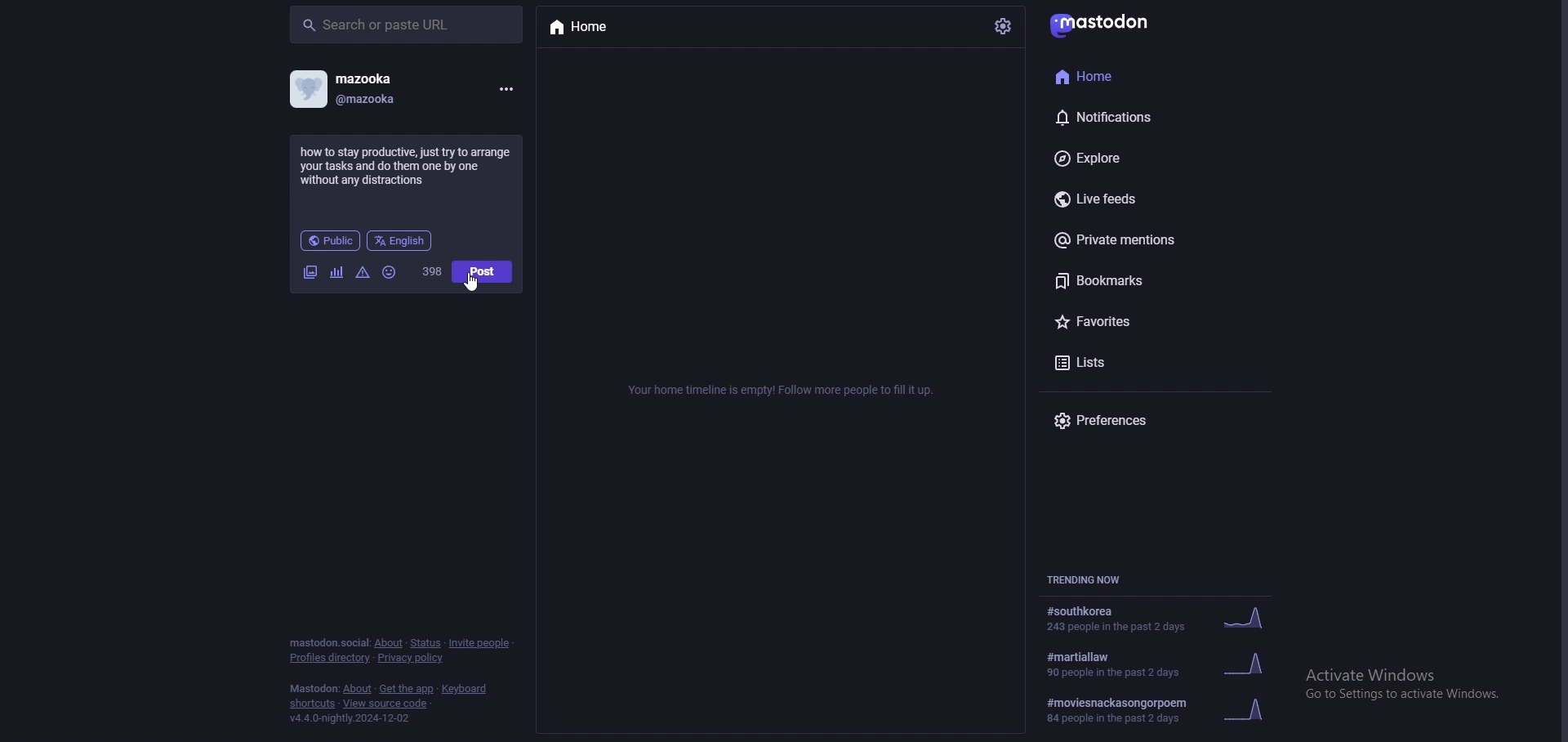 This screenshot has width=1568, height=742. I want to click on home, so click(595, 28).